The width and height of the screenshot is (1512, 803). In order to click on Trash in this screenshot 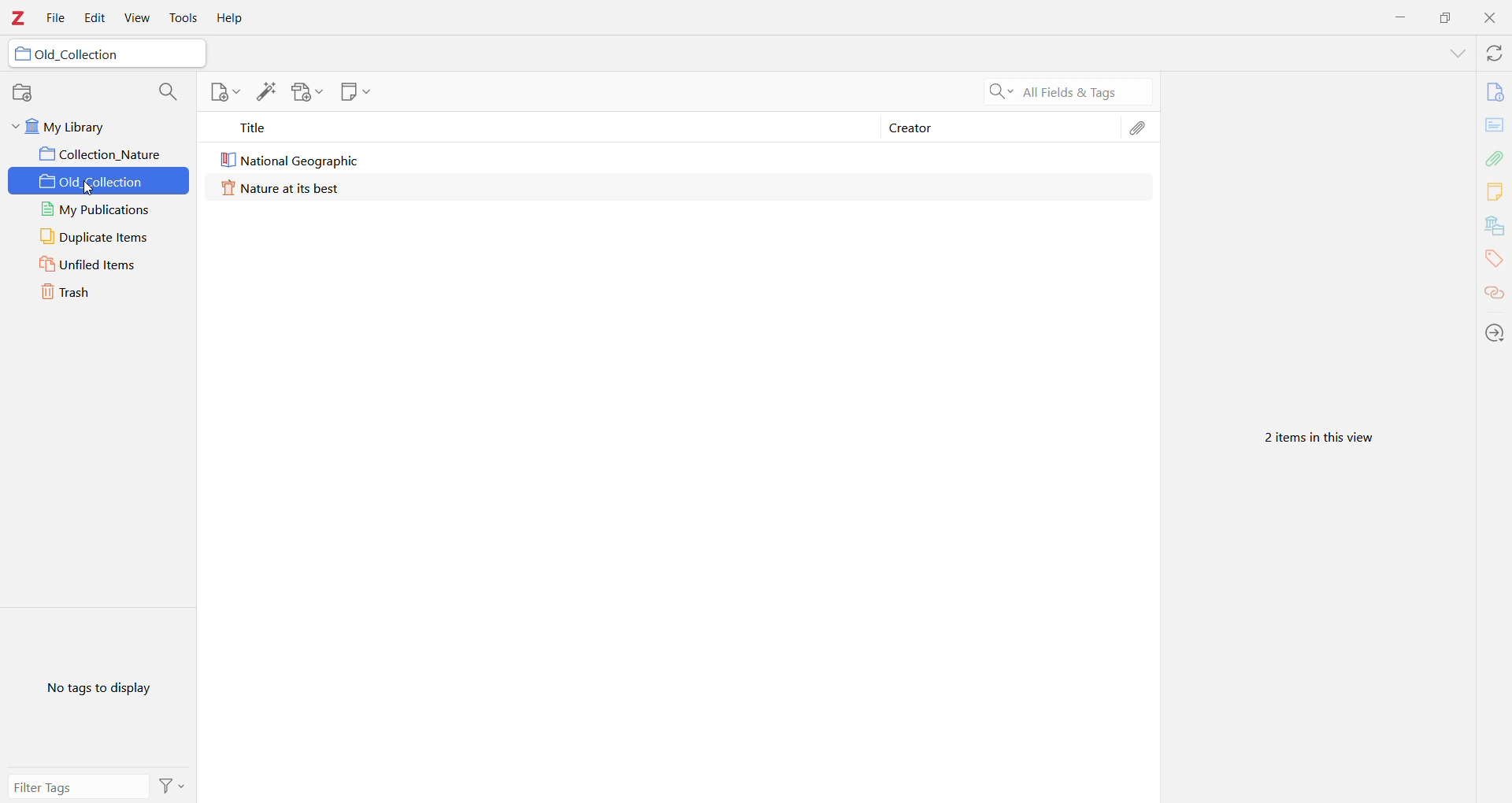, I will do `click(100, 293)`.